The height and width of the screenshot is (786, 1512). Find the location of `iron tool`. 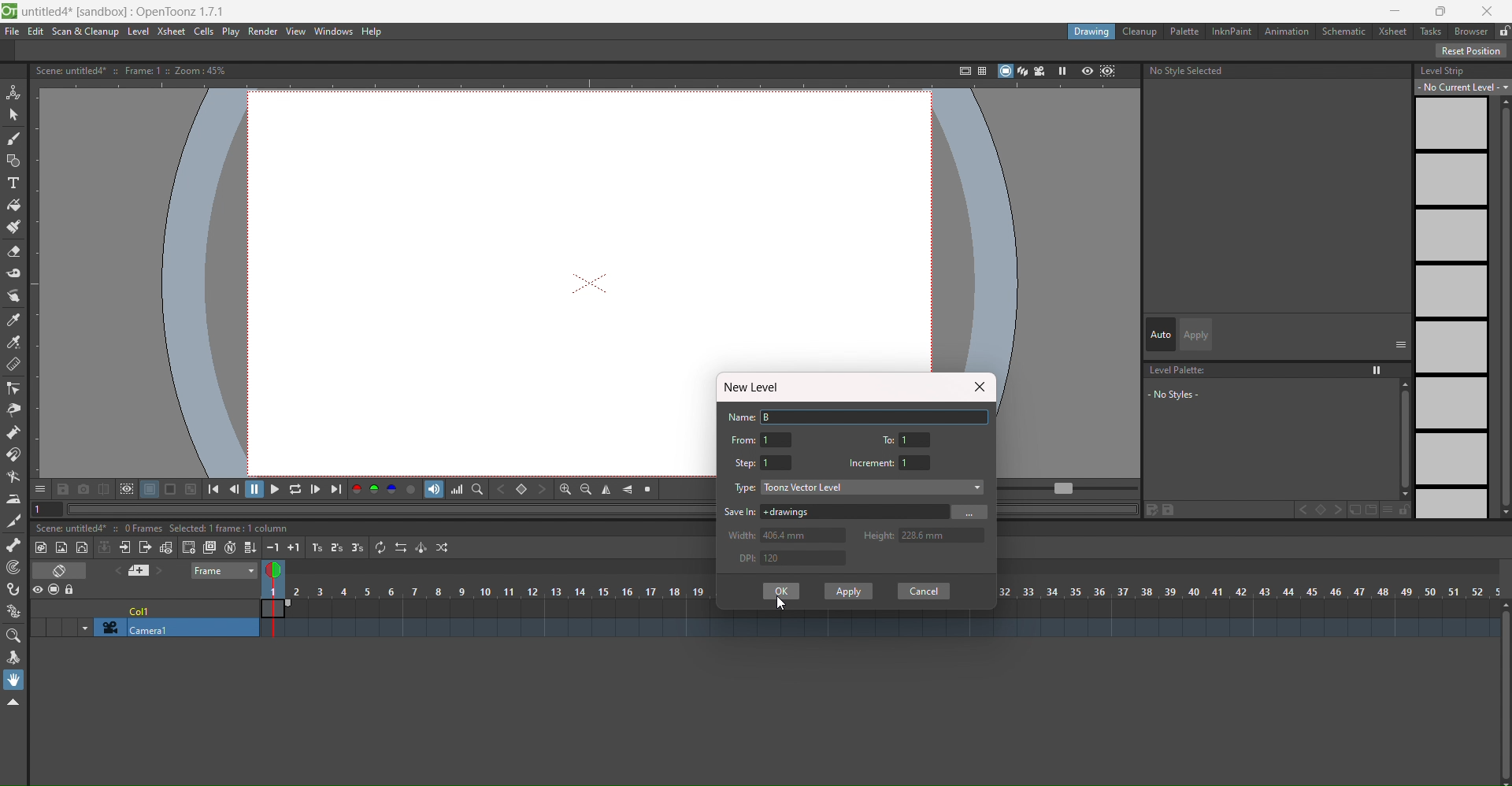

iron tool is located at coordinates (13, 500).